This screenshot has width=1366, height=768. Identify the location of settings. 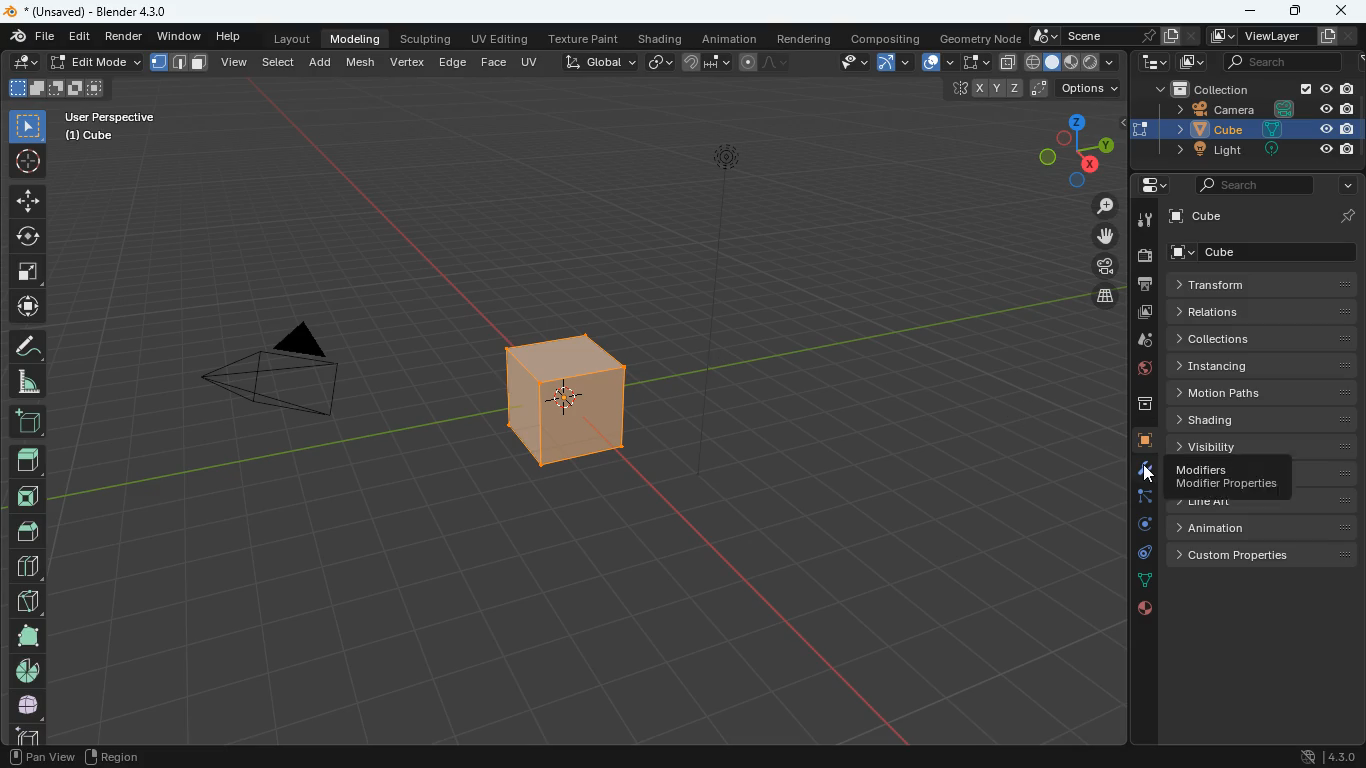
(1147, 184).